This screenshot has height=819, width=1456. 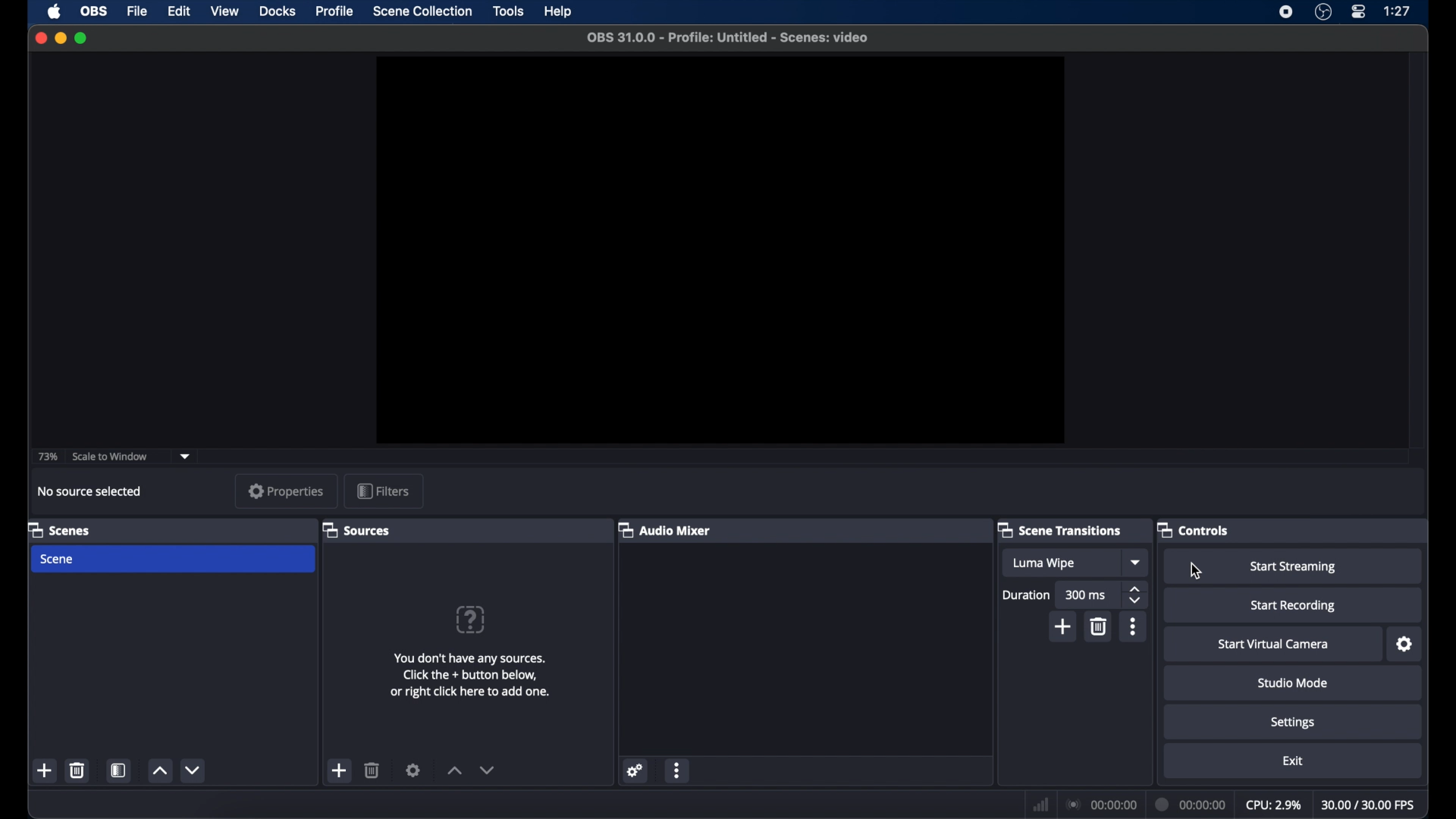 I want to click on advanced audio properties, so click(x=711, y=796).